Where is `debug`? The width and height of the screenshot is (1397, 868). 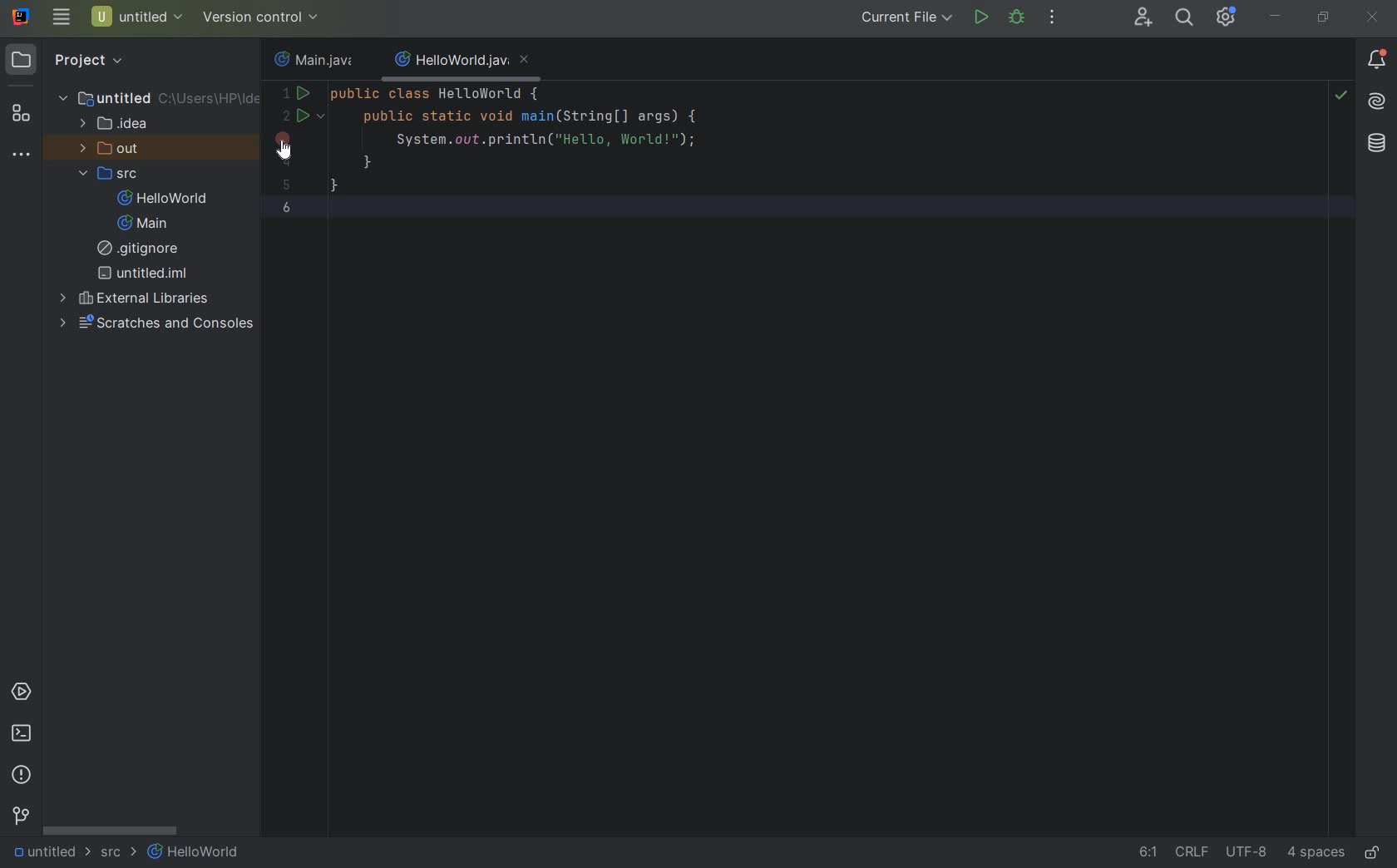
debug is located at coordinates (1016, 18).